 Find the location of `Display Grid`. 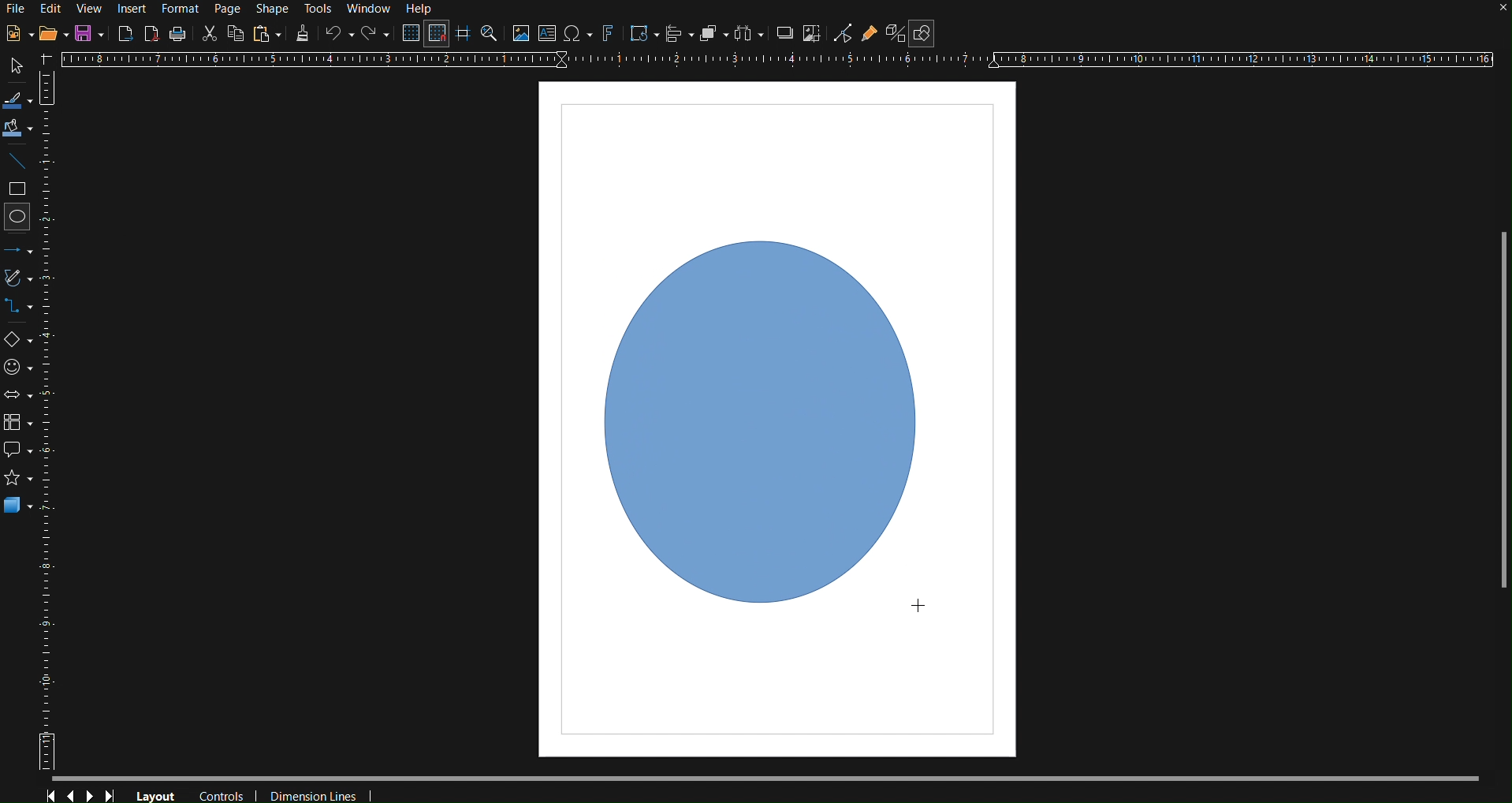

Display Grid is located at coordinates (408, 35).